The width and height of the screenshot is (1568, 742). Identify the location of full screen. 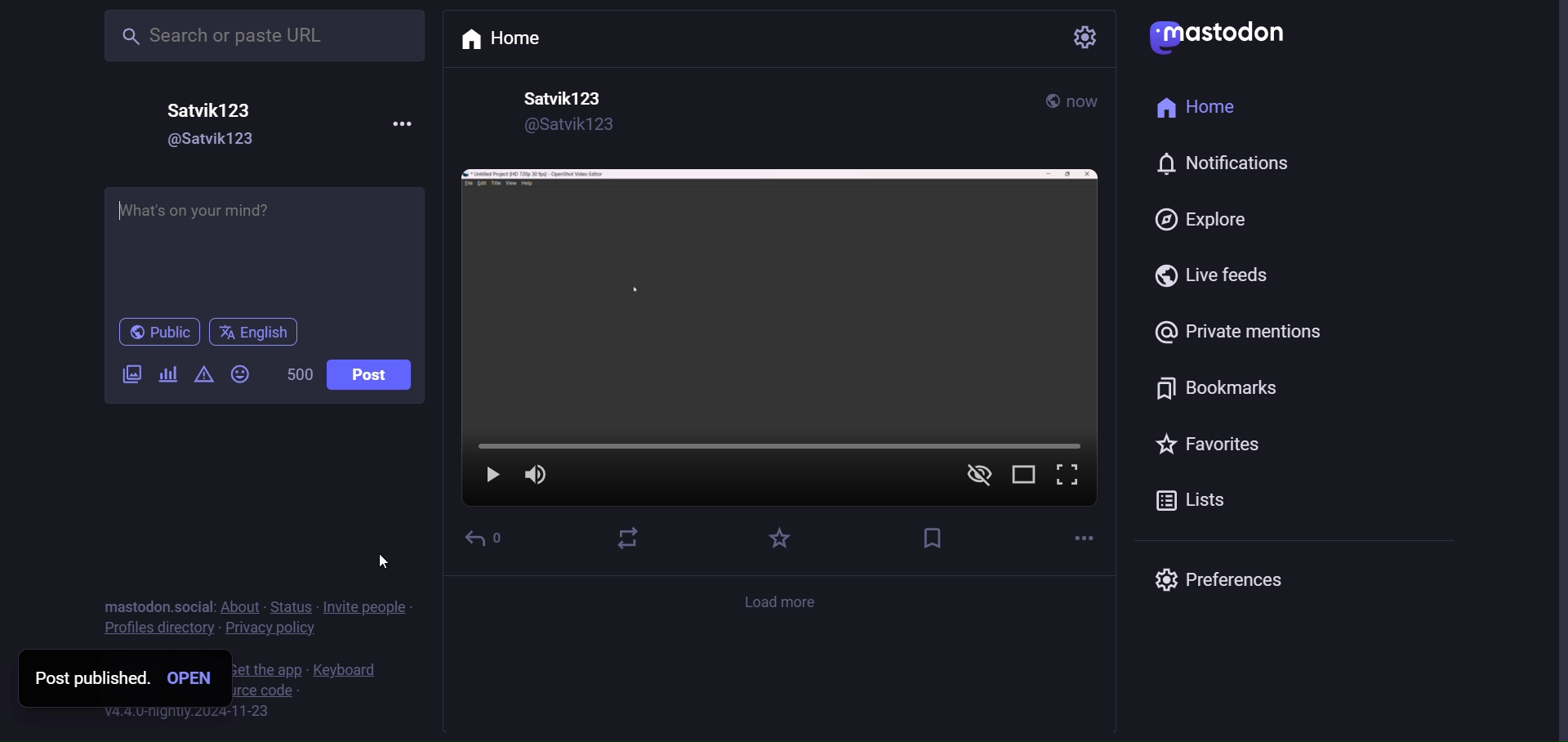
(1069, 477).